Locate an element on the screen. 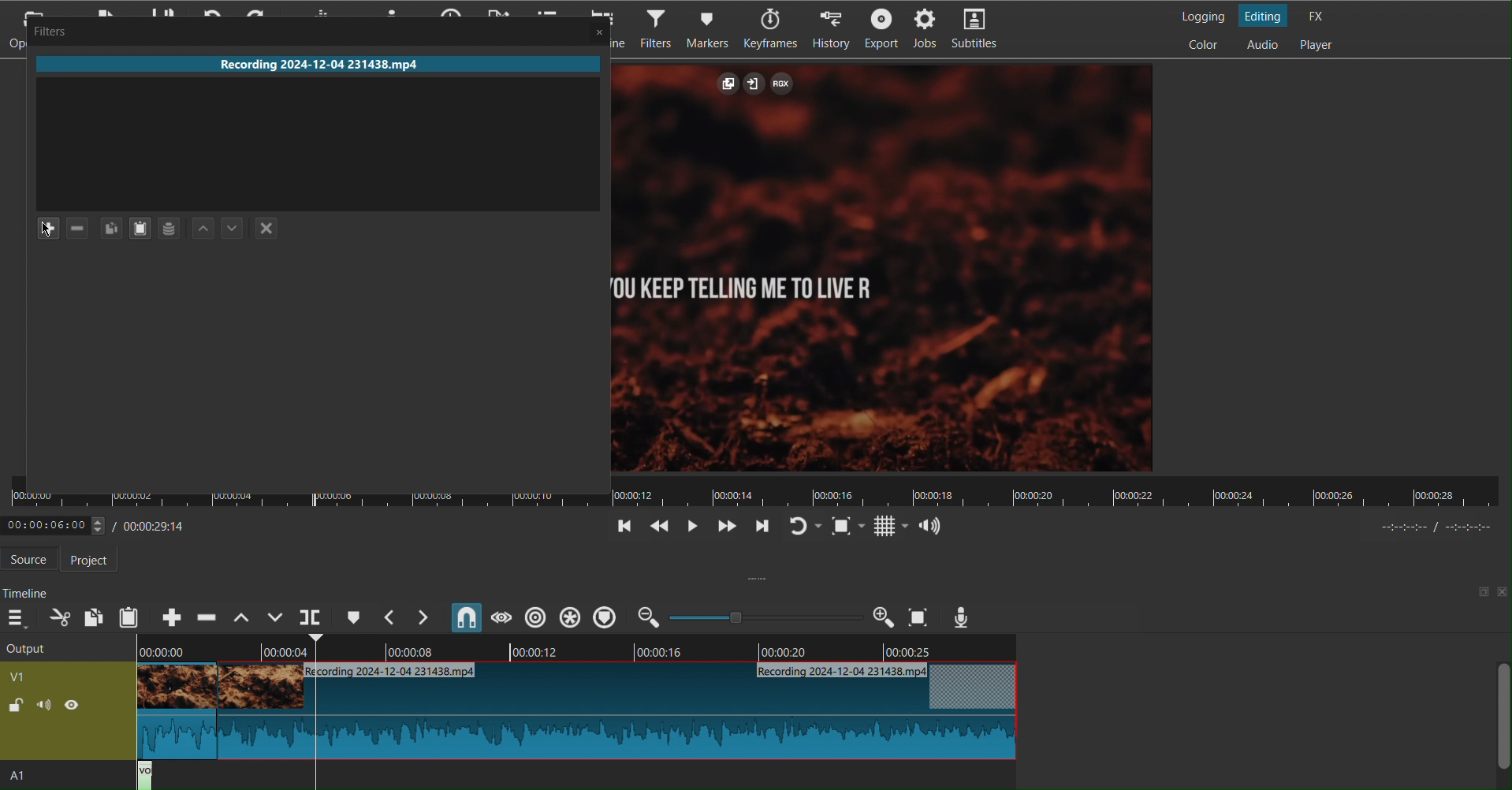  Lift is located at coordinates (239, 617).